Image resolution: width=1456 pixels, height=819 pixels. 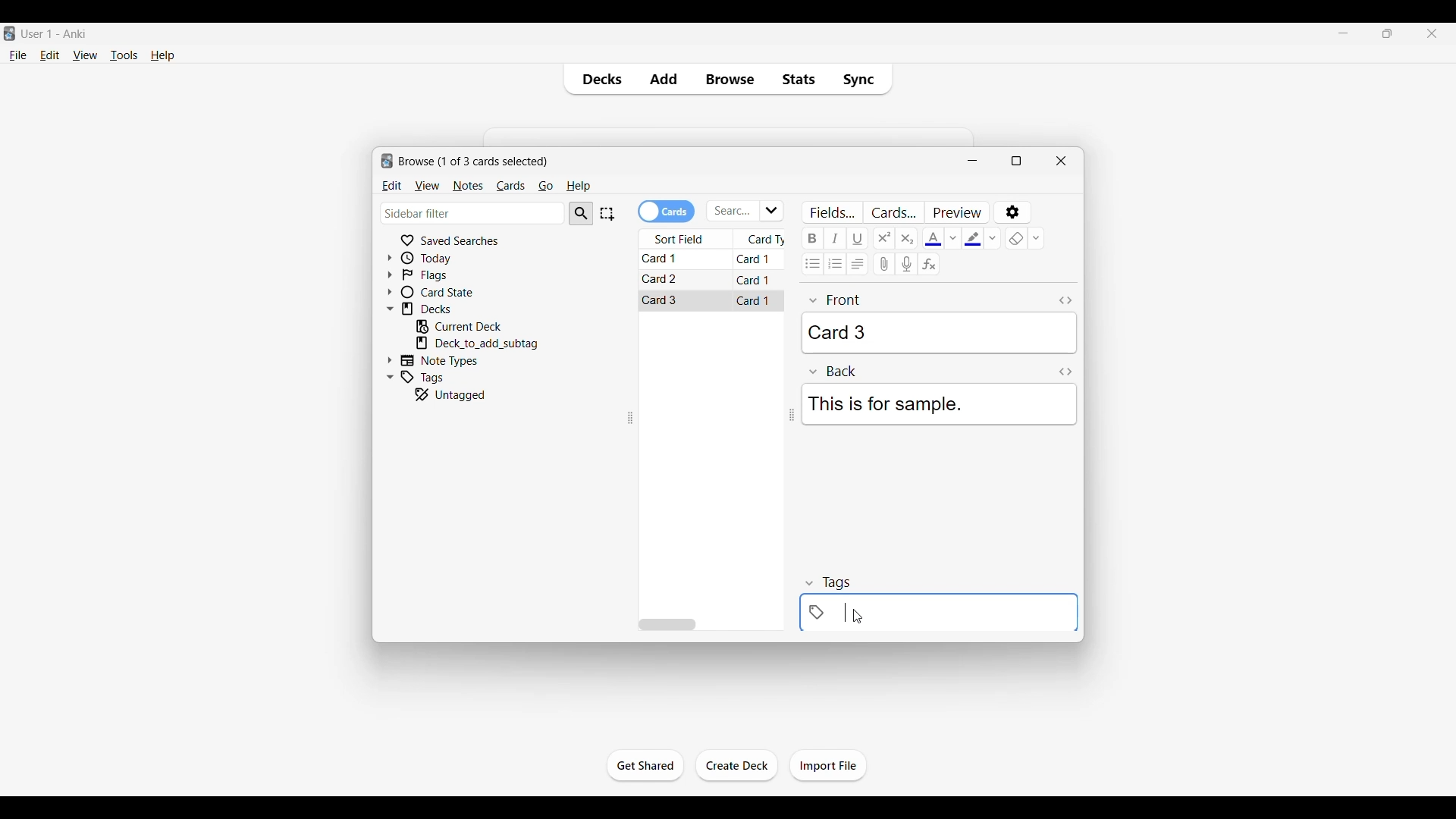 I want to click on Close window, so click(x=1062, y=161).